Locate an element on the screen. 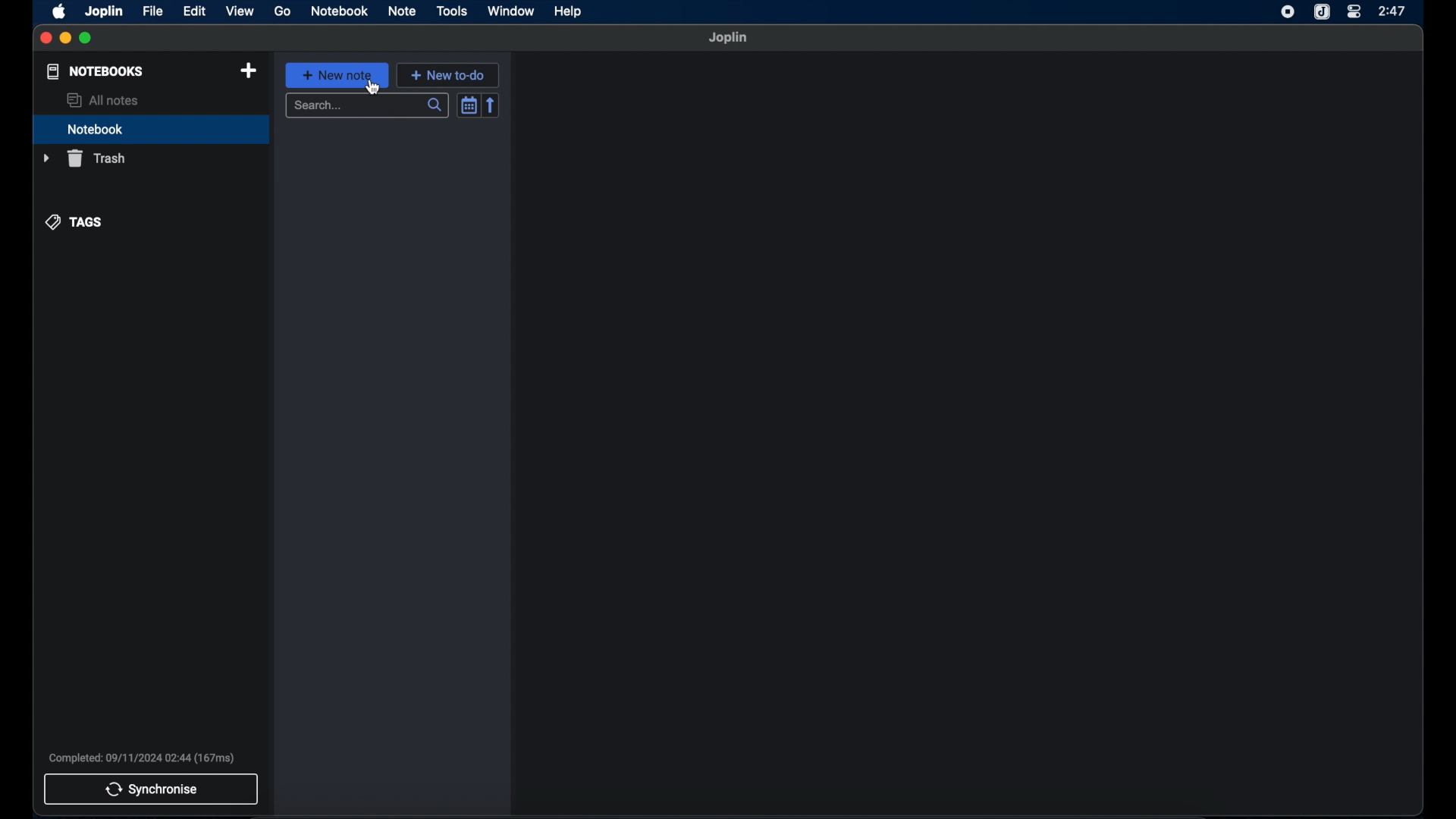  appleicon is located at coordinates (58, 12).